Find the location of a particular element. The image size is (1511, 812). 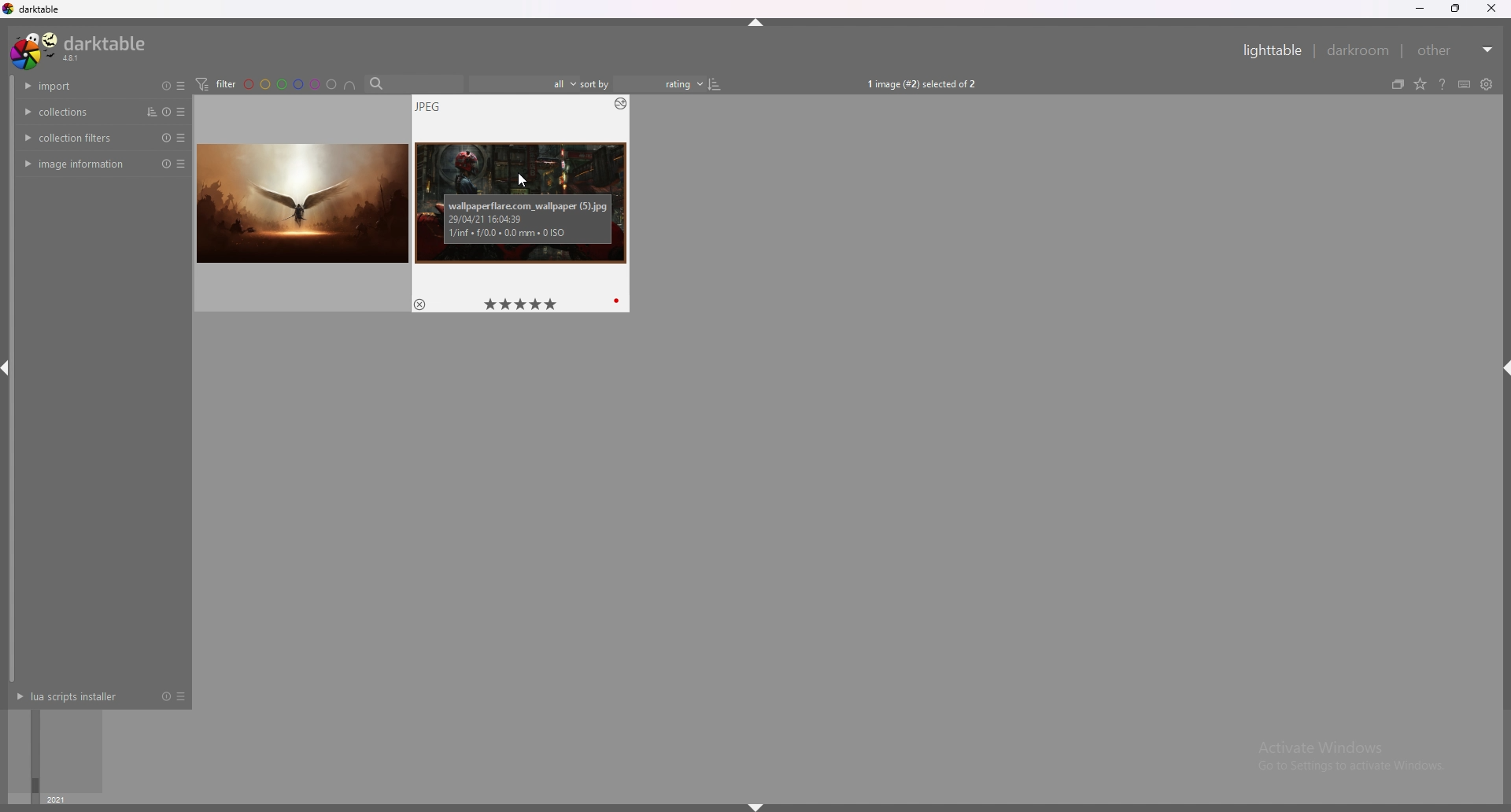

darktable is located at coordinates (32, 9).